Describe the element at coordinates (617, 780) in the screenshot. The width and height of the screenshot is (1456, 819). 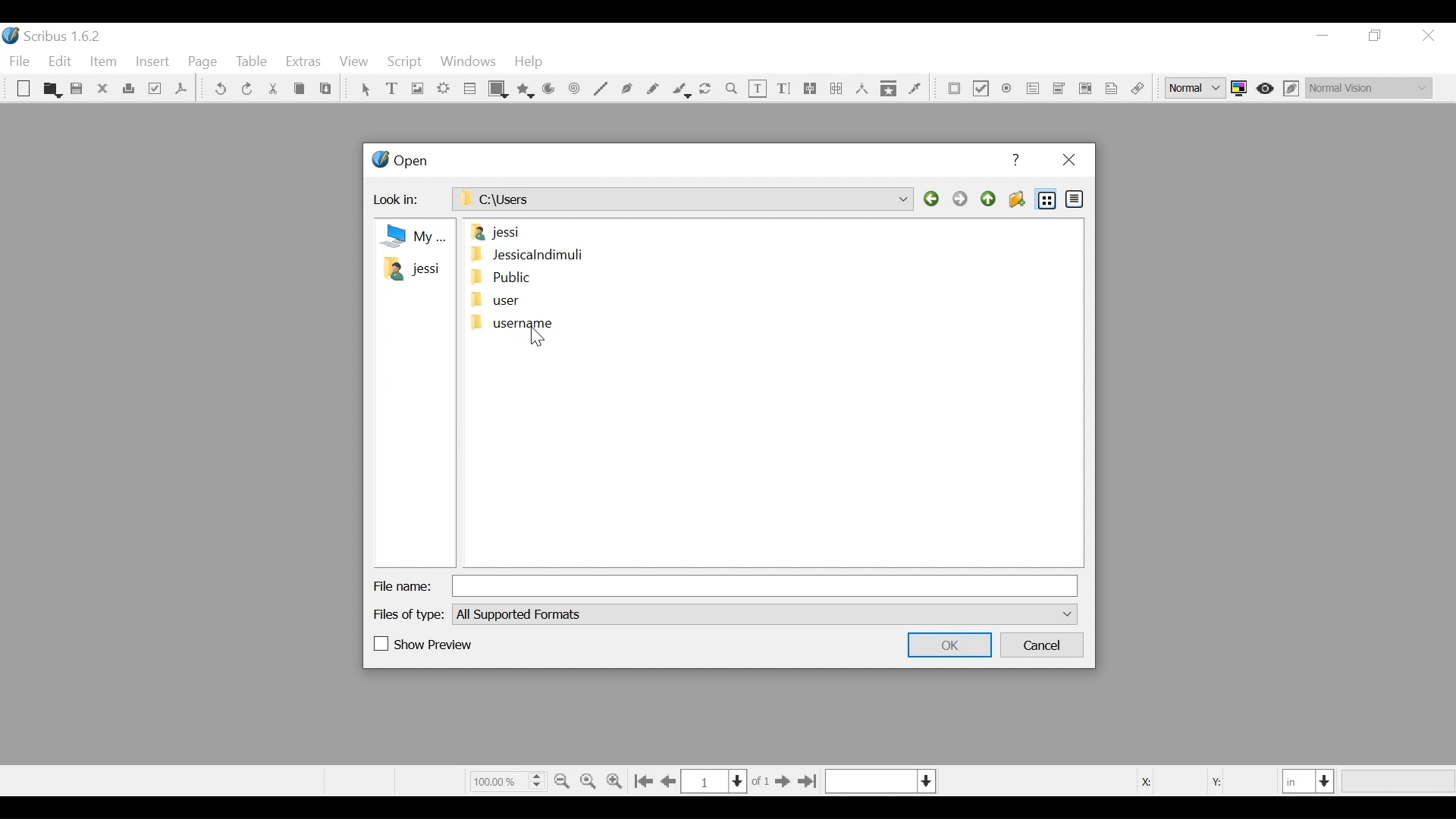
I see `Zoom in` at that location.